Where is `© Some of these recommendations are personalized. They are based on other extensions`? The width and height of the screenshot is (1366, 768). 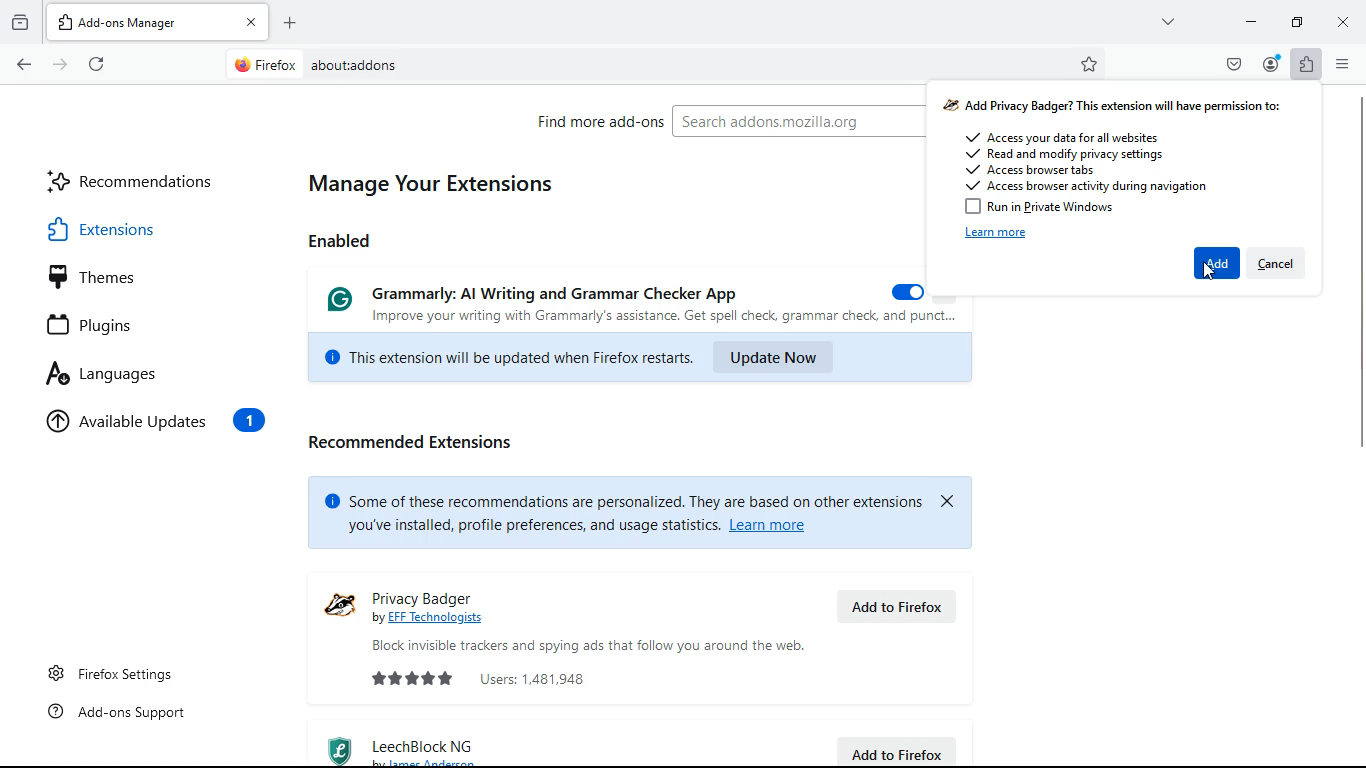
© Some of these recommendations are personalized. They are based on other extensions is located at coordinates (627, 494).